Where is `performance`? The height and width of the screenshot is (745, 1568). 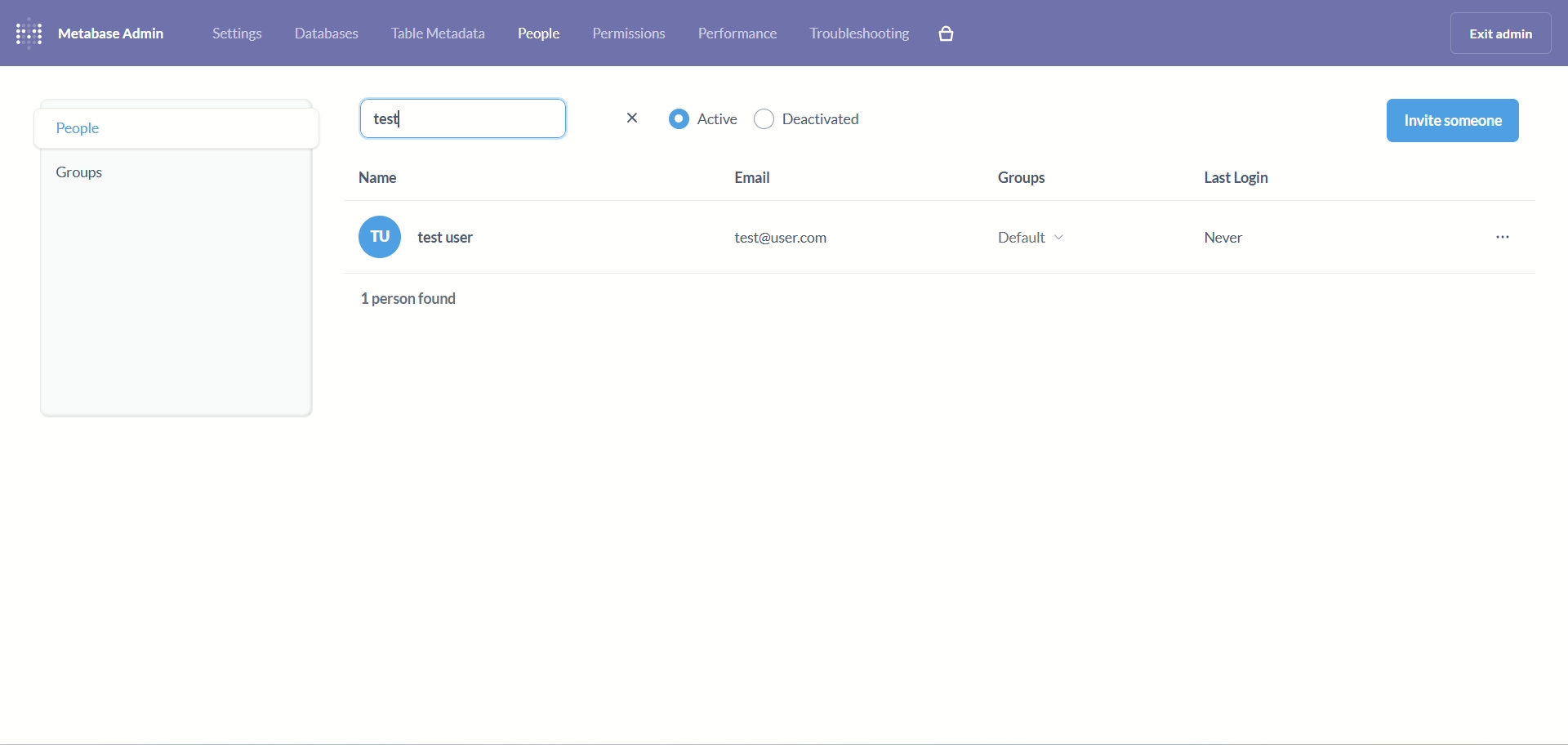 performance is located at coordinates (739, 33).